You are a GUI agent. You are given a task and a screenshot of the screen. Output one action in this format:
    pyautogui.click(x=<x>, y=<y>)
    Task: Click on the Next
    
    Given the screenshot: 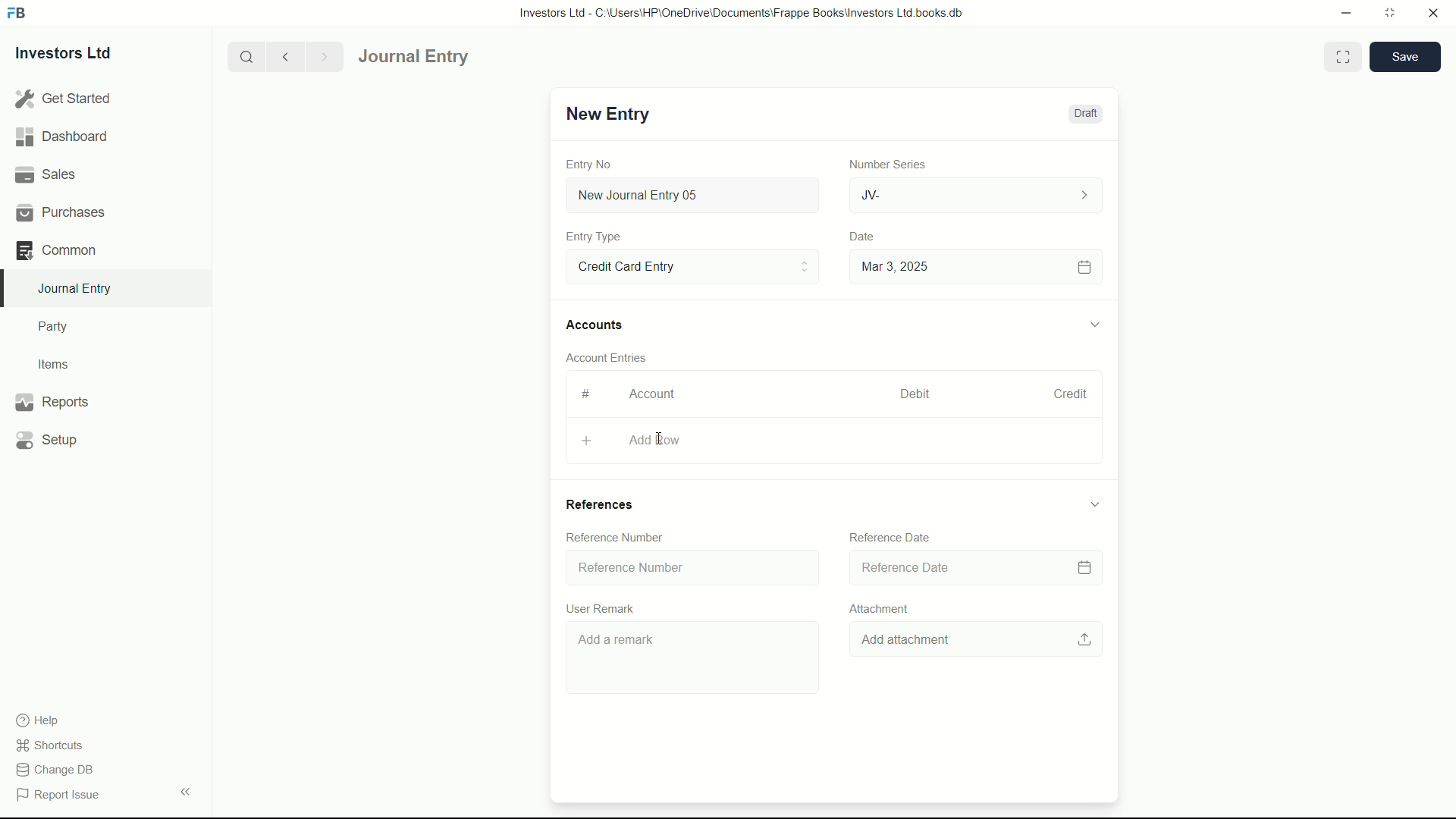 What is the action you would take?
    pyautogui.click(x=322, y=56)
    